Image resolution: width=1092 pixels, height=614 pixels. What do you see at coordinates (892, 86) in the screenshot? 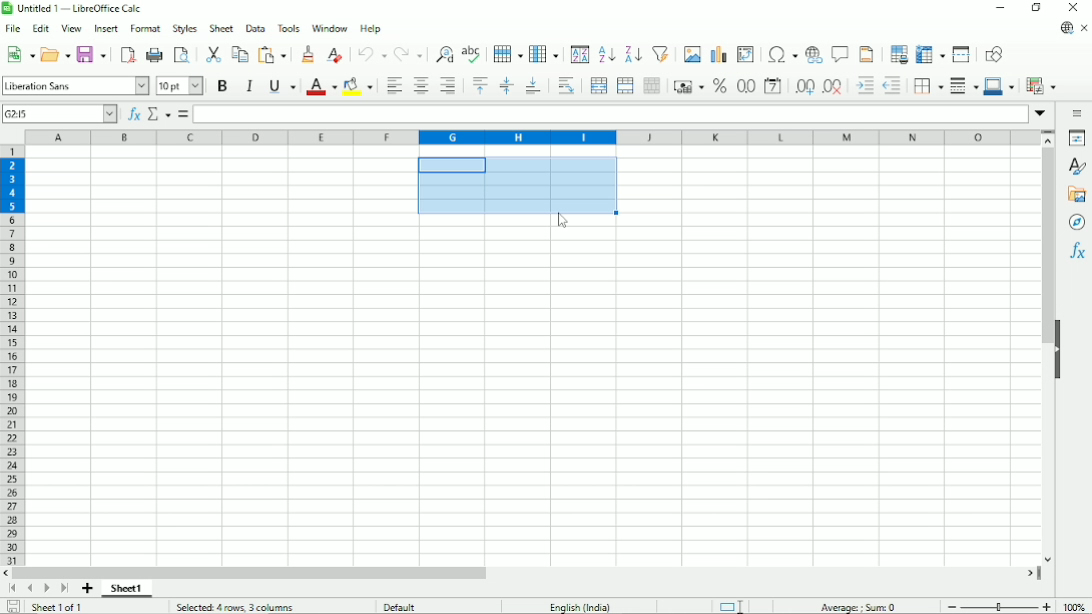
I see `Decrease indent` at bounding box center [892, 86].